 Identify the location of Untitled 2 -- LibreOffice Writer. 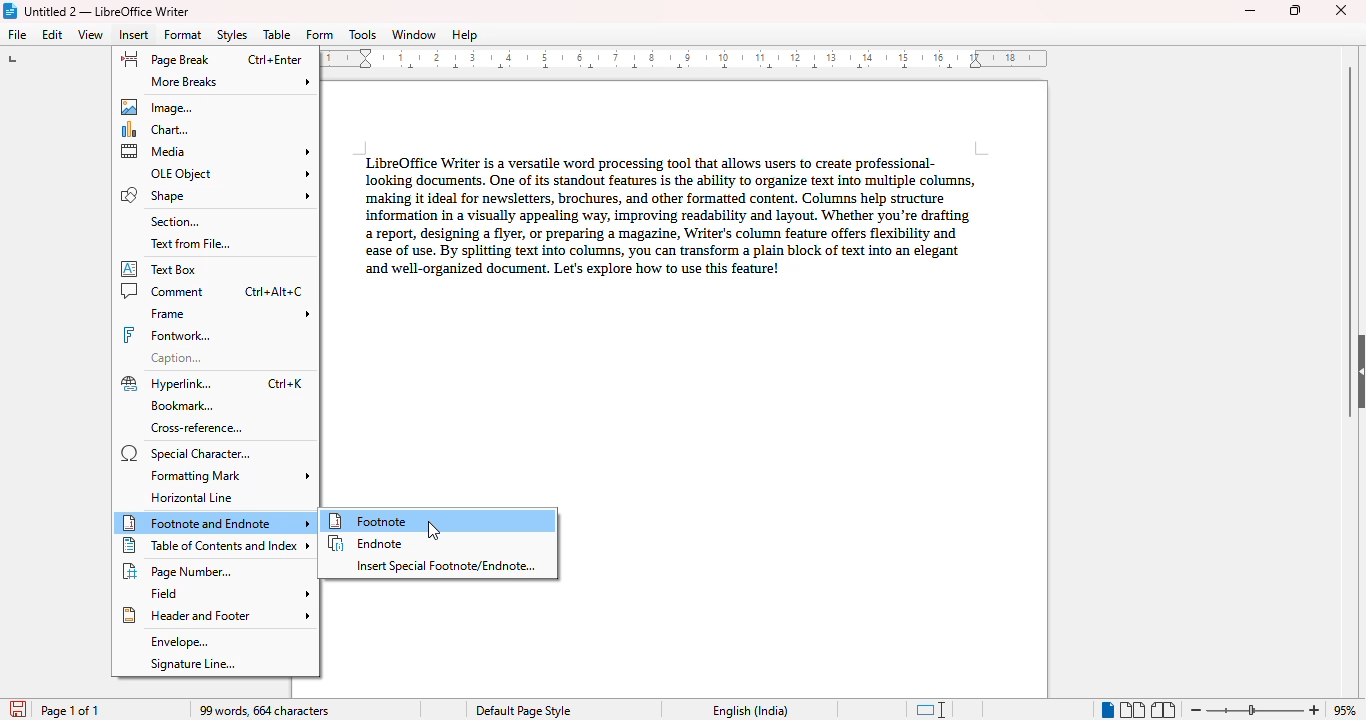
(109, 11).